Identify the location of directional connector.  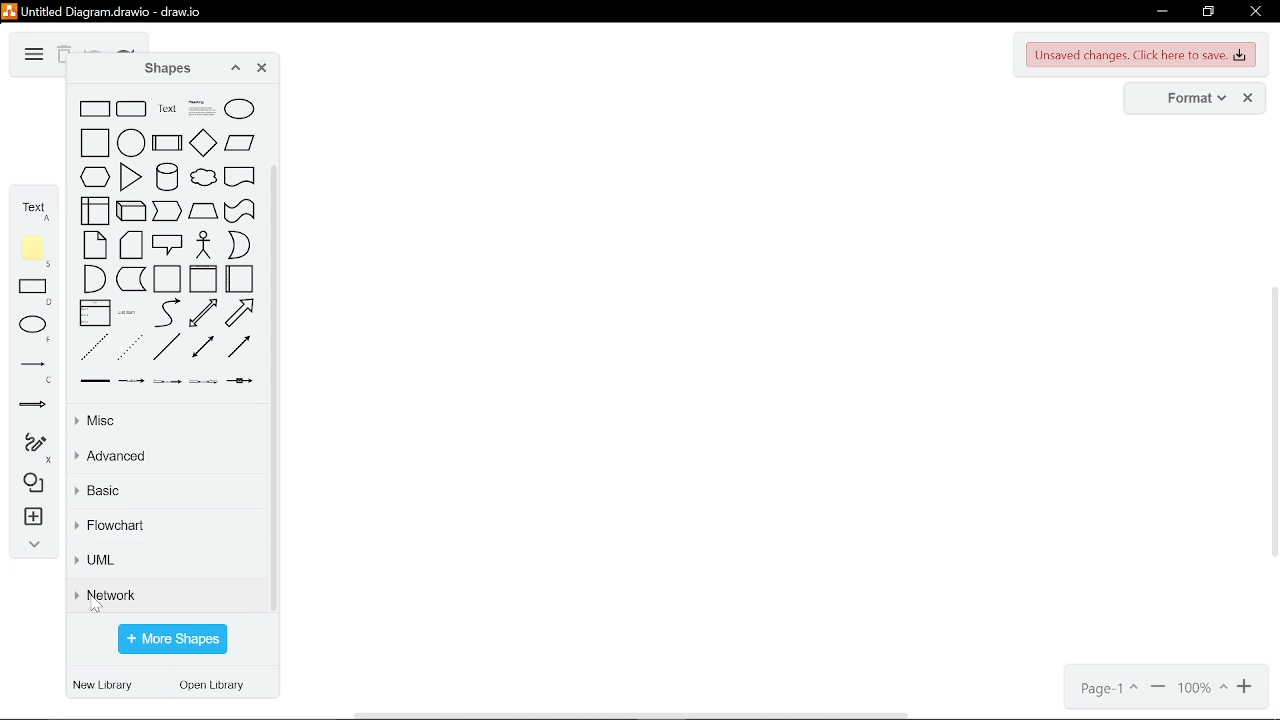
(239, 346).